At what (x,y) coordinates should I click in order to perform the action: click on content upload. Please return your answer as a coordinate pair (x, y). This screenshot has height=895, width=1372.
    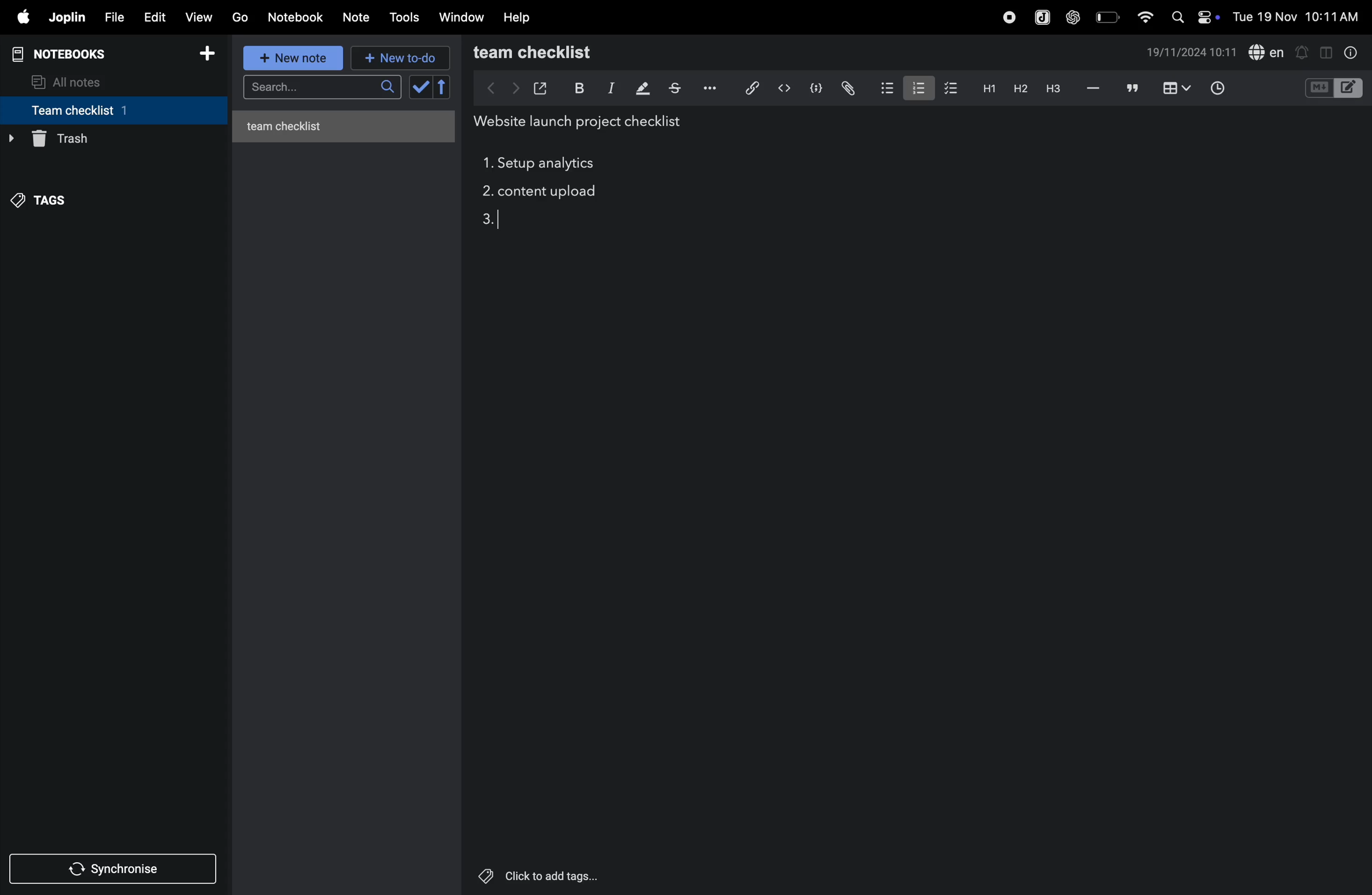
    Looking at the image, I should click on (551, 193).